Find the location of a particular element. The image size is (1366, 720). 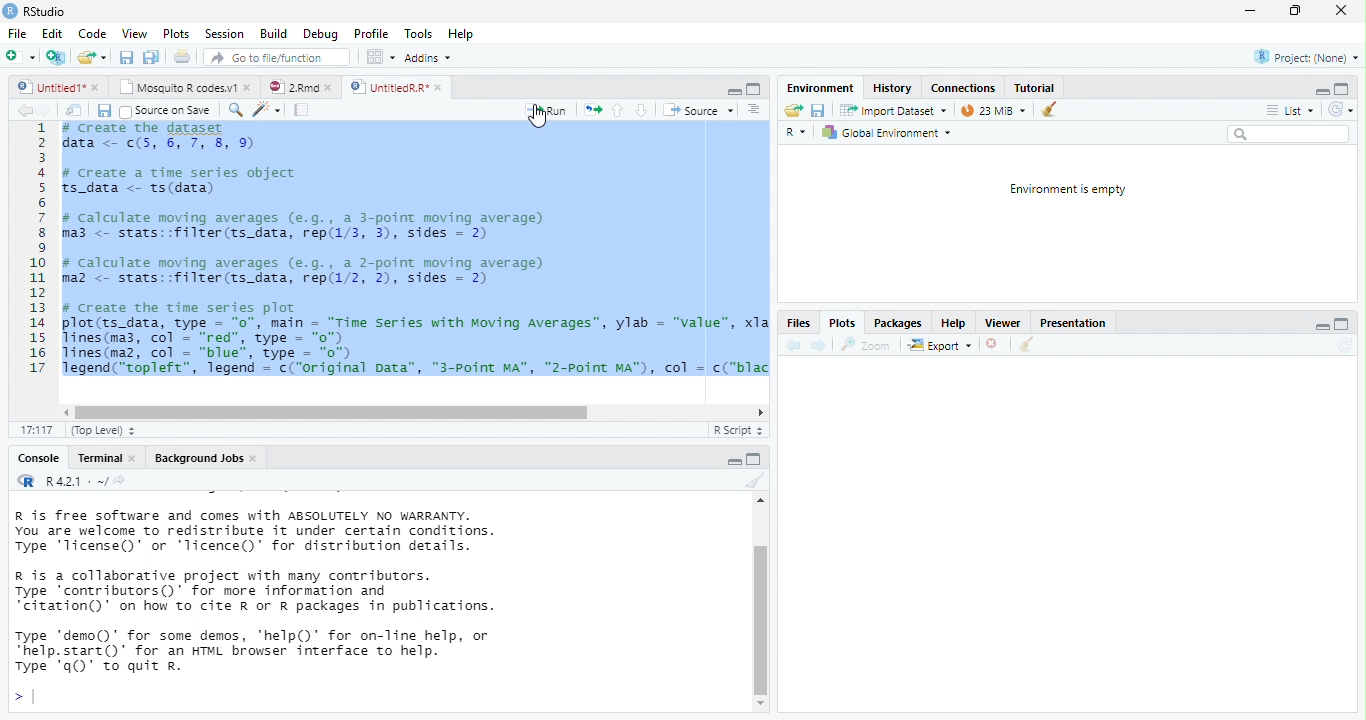

Terminal is located at coordinates (99, 458).